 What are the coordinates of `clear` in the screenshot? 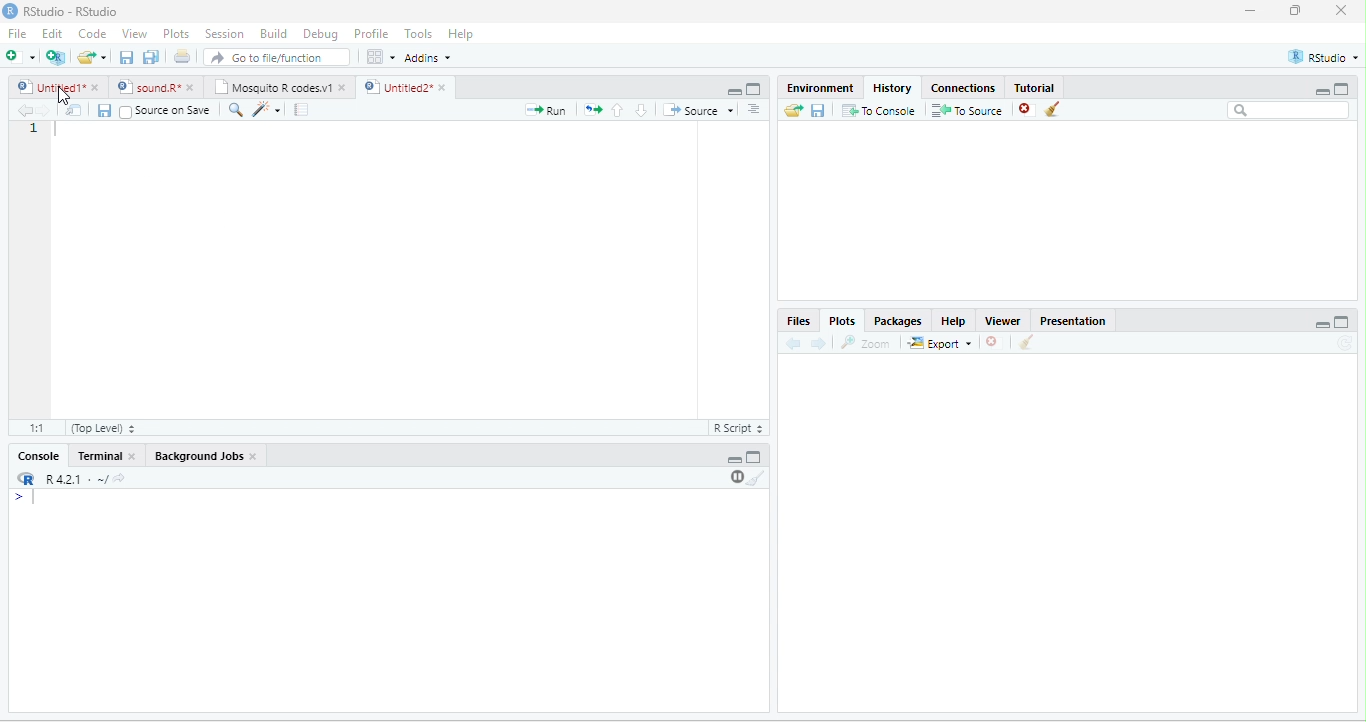 It's located at (757, 478).